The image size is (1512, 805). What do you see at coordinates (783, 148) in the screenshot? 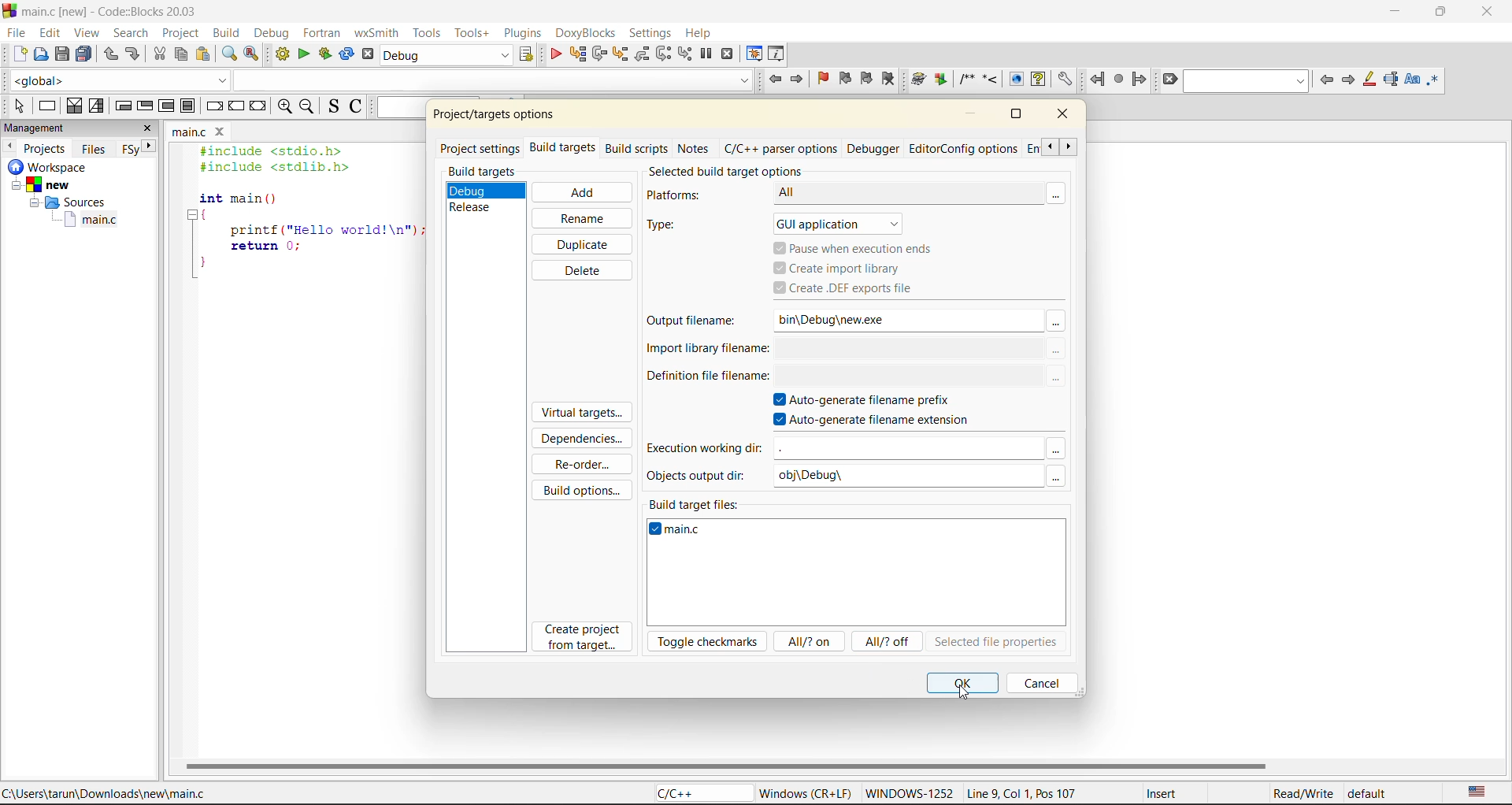
I see `c/c++ parser options` at bounding box center [783, 148].